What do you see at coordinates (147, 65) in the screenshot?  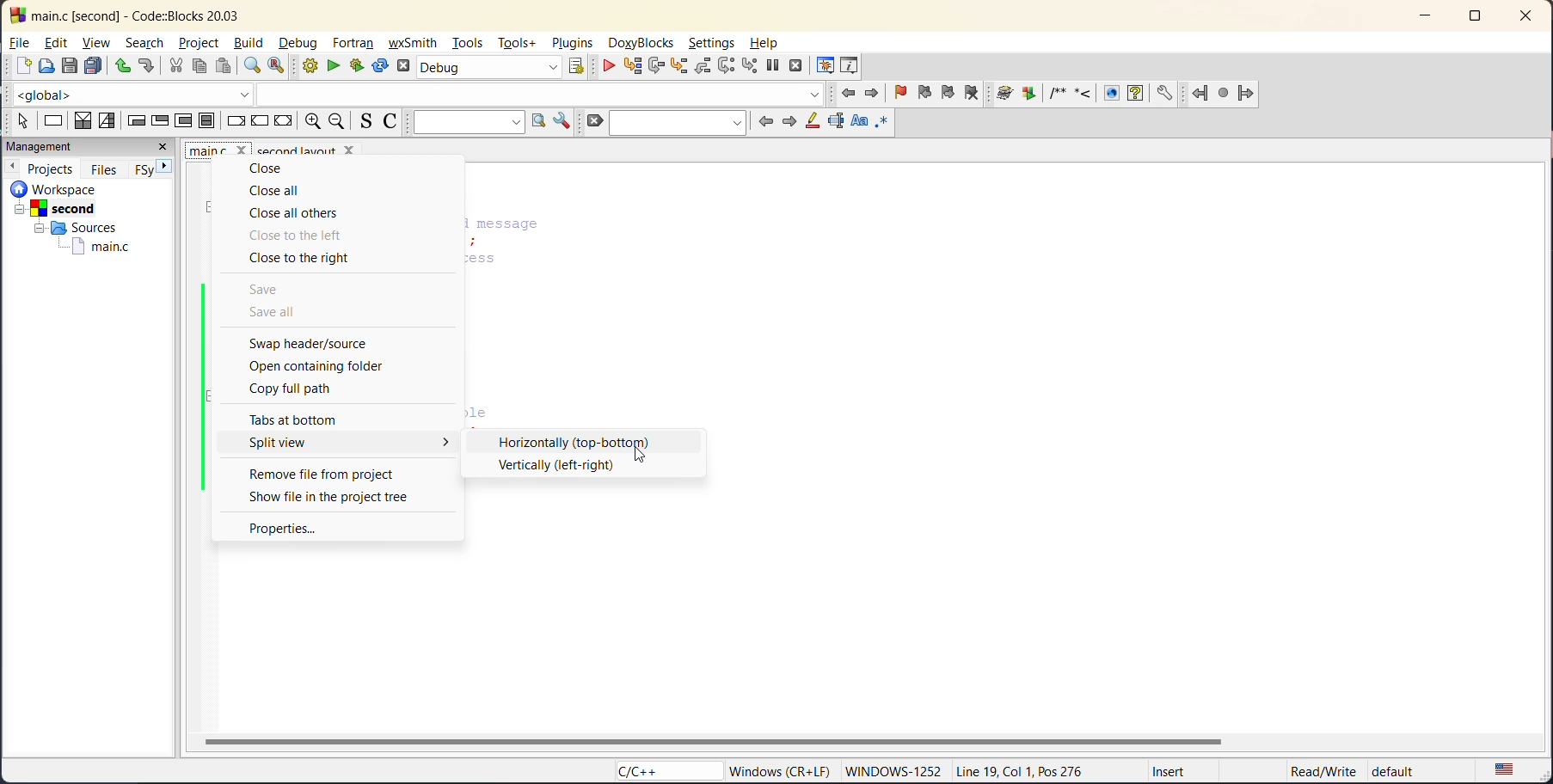 I see `redo` at bounding box center [147, 65].